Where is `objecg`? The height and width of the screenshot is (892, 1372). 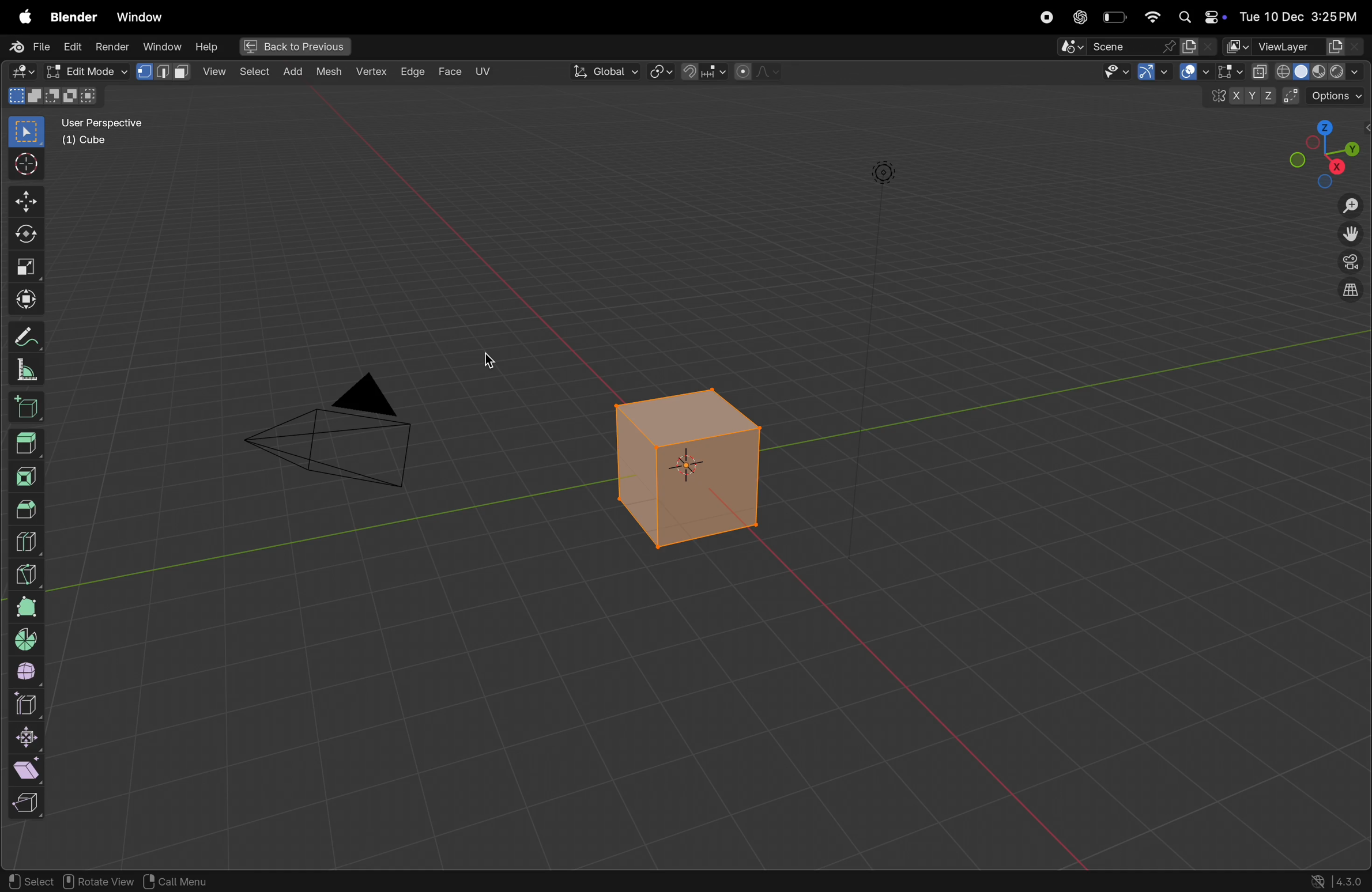 objecg is located at coordinates (175, 881).